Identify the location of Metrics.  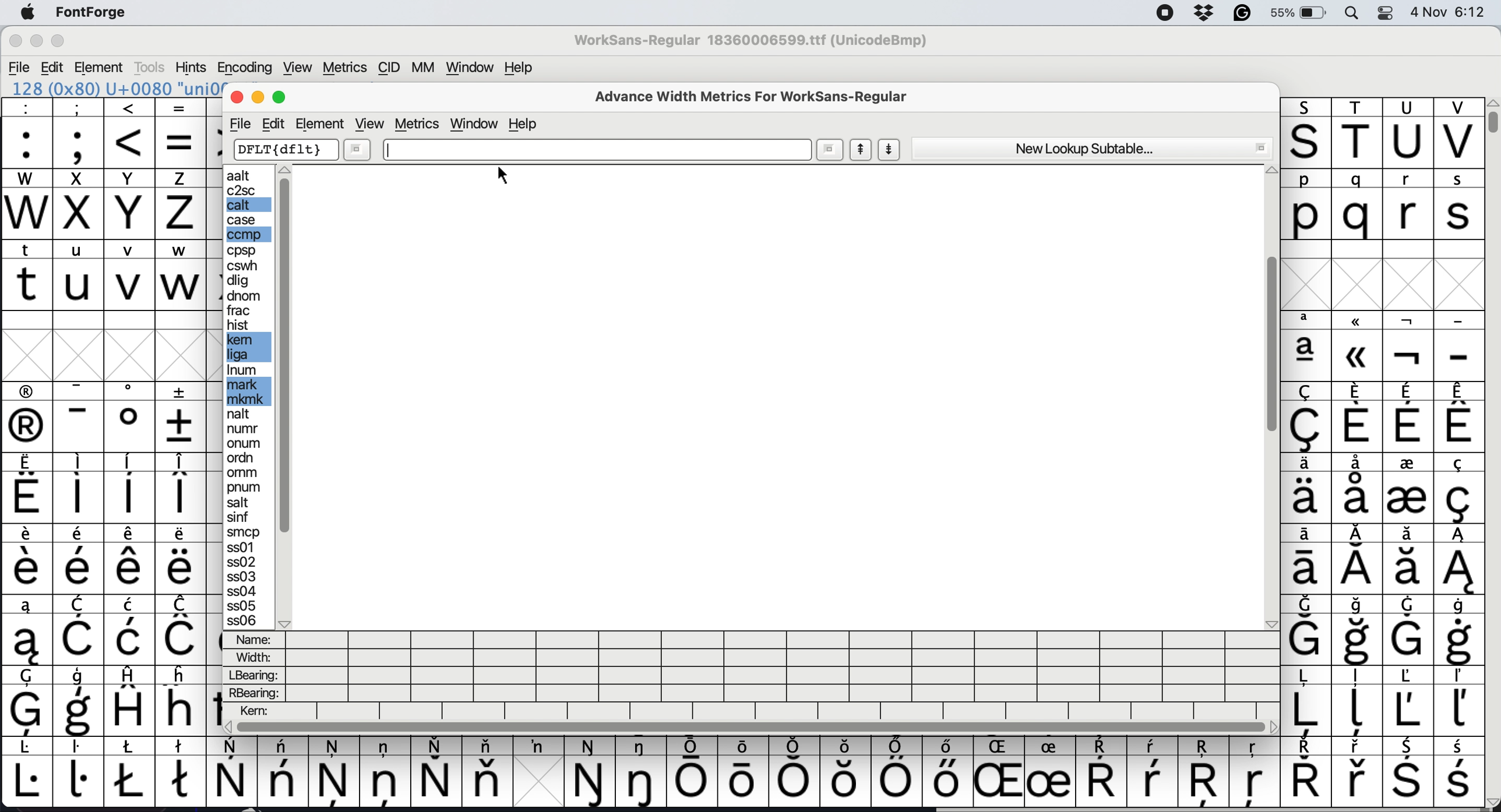
(346, 66).